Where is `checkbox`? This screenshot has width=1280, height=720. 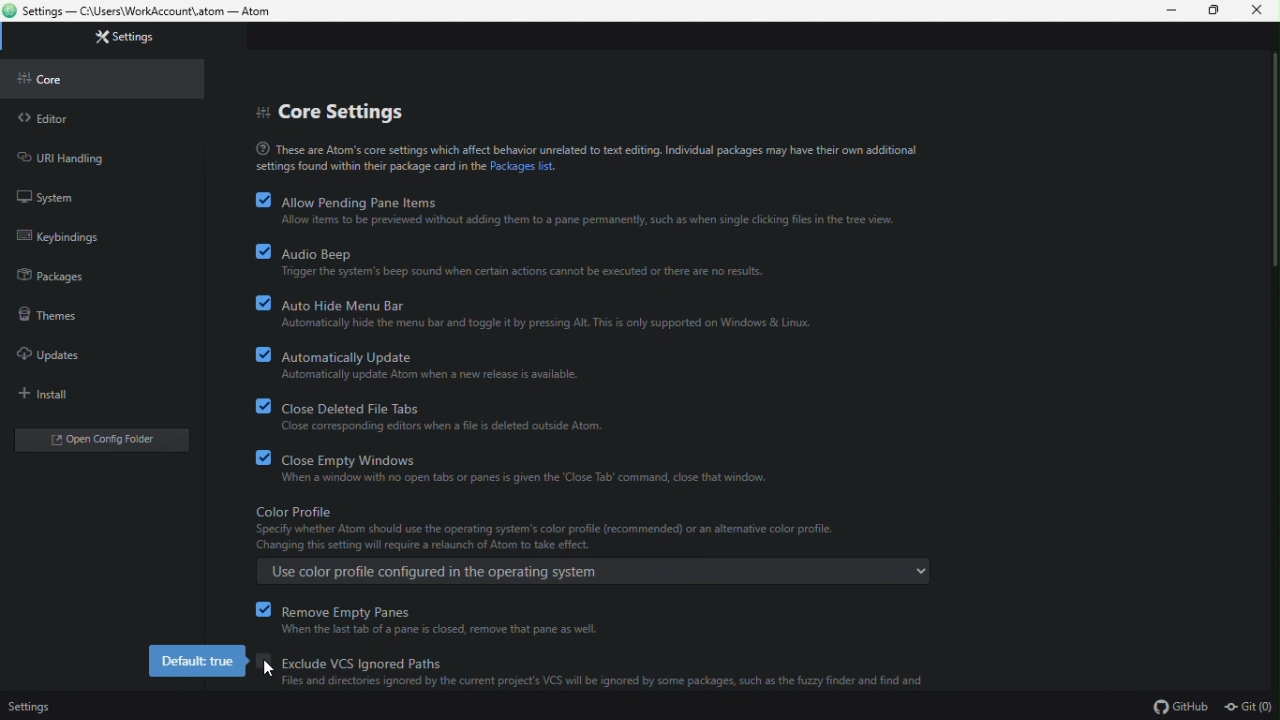 checkbox is located at coordinates (263, 201).